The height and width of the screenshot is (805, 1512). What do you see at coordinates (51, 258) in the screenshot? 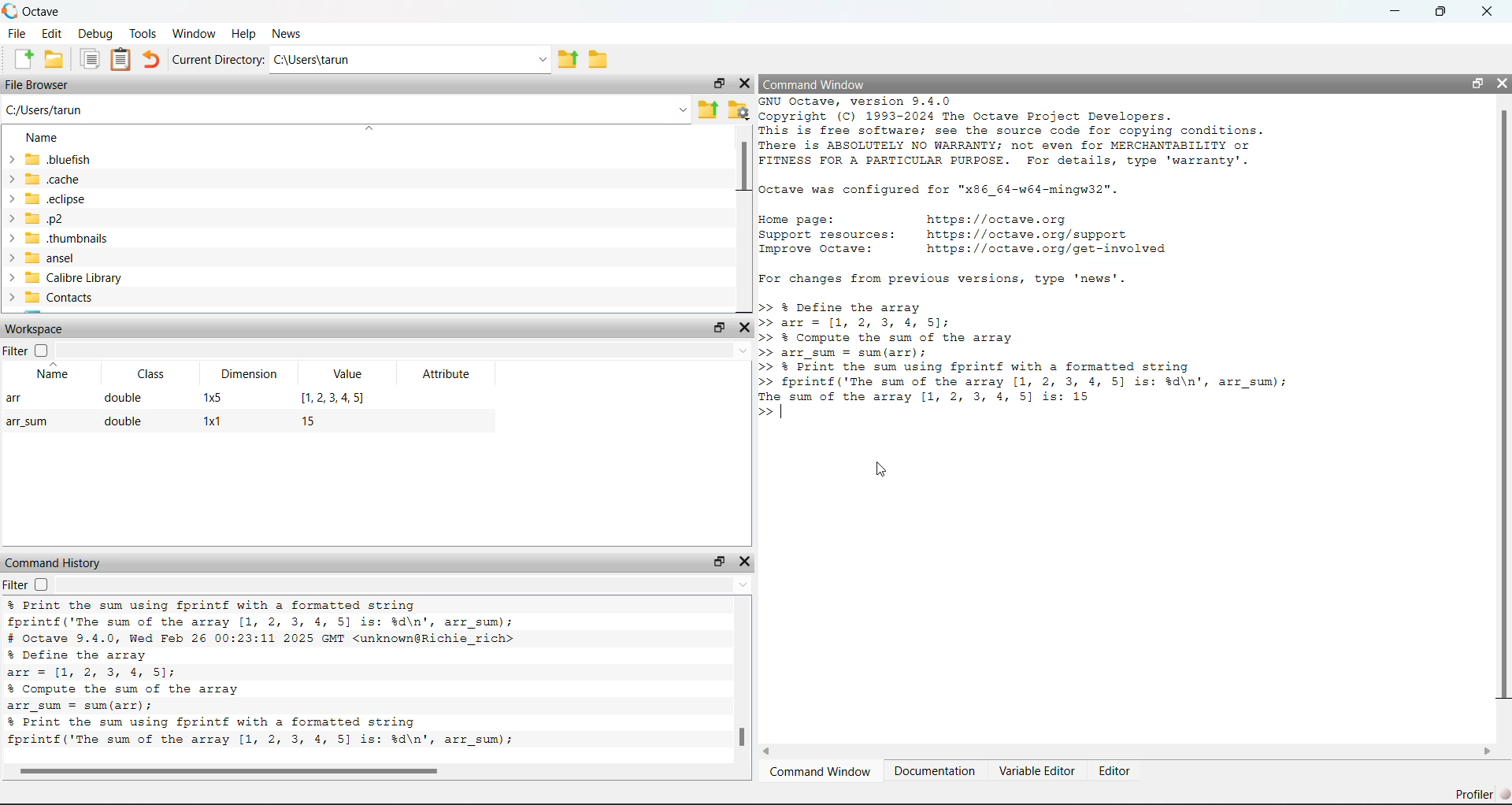
I see `ansel` at bounding box center [51, 258].